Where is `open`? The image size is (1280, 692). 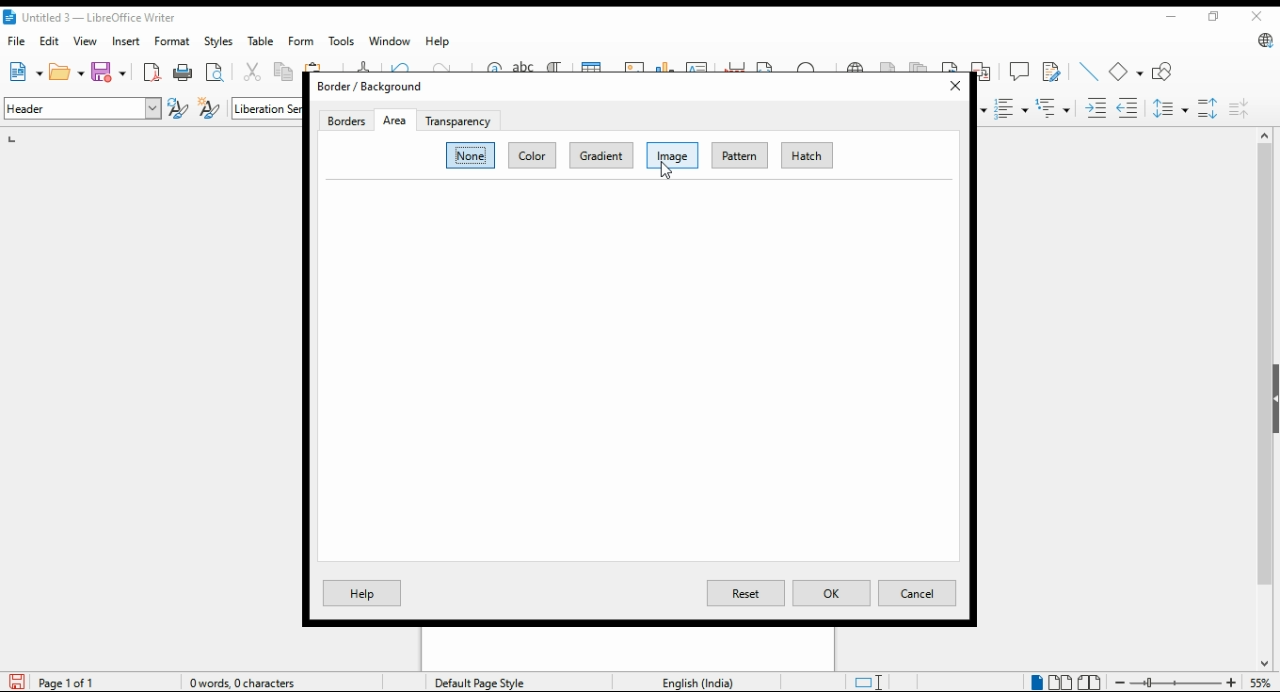 open is located at coordinates (67, 71).